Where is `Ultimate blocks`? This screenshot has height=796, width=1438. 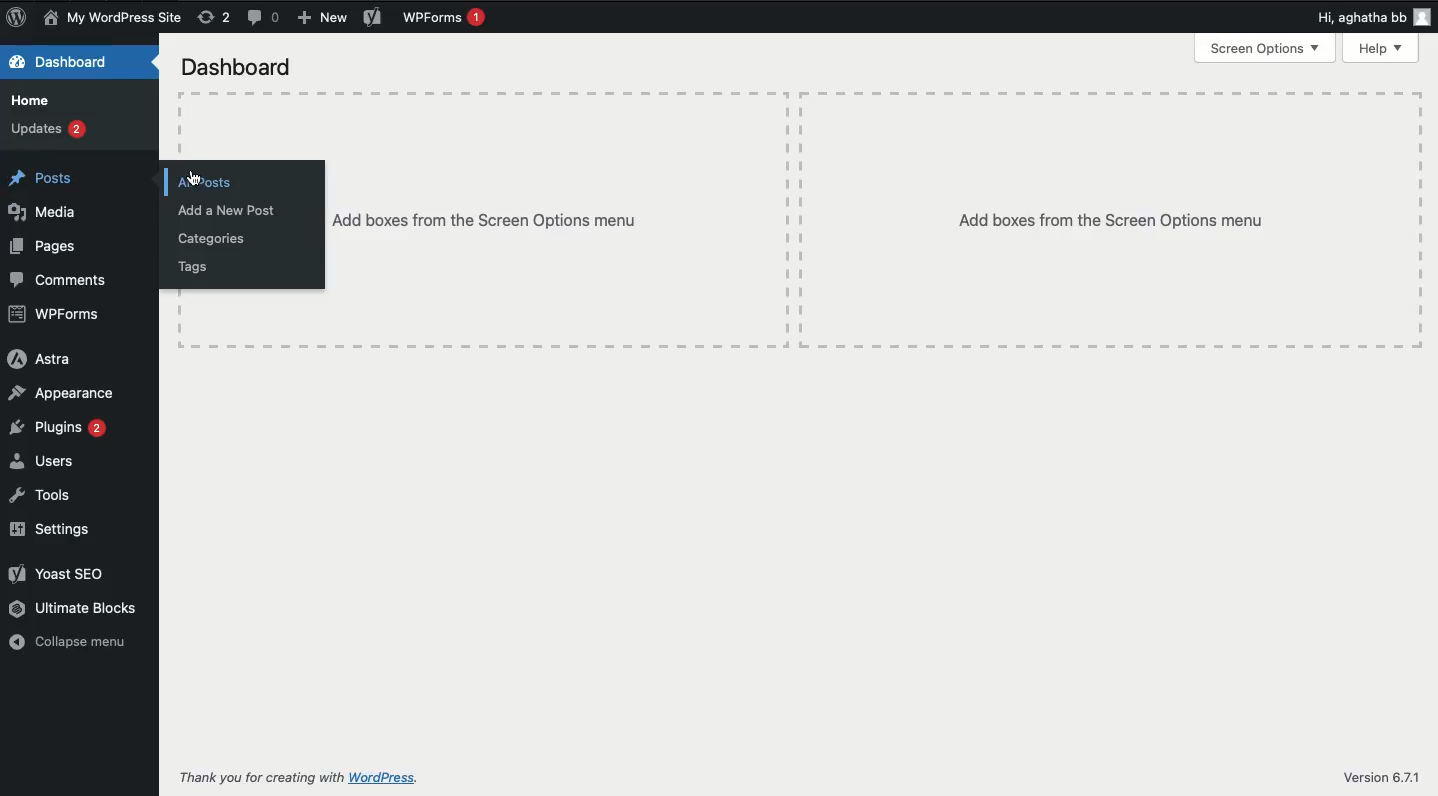 Ultimate blocks is located at coordinates (74, 607).